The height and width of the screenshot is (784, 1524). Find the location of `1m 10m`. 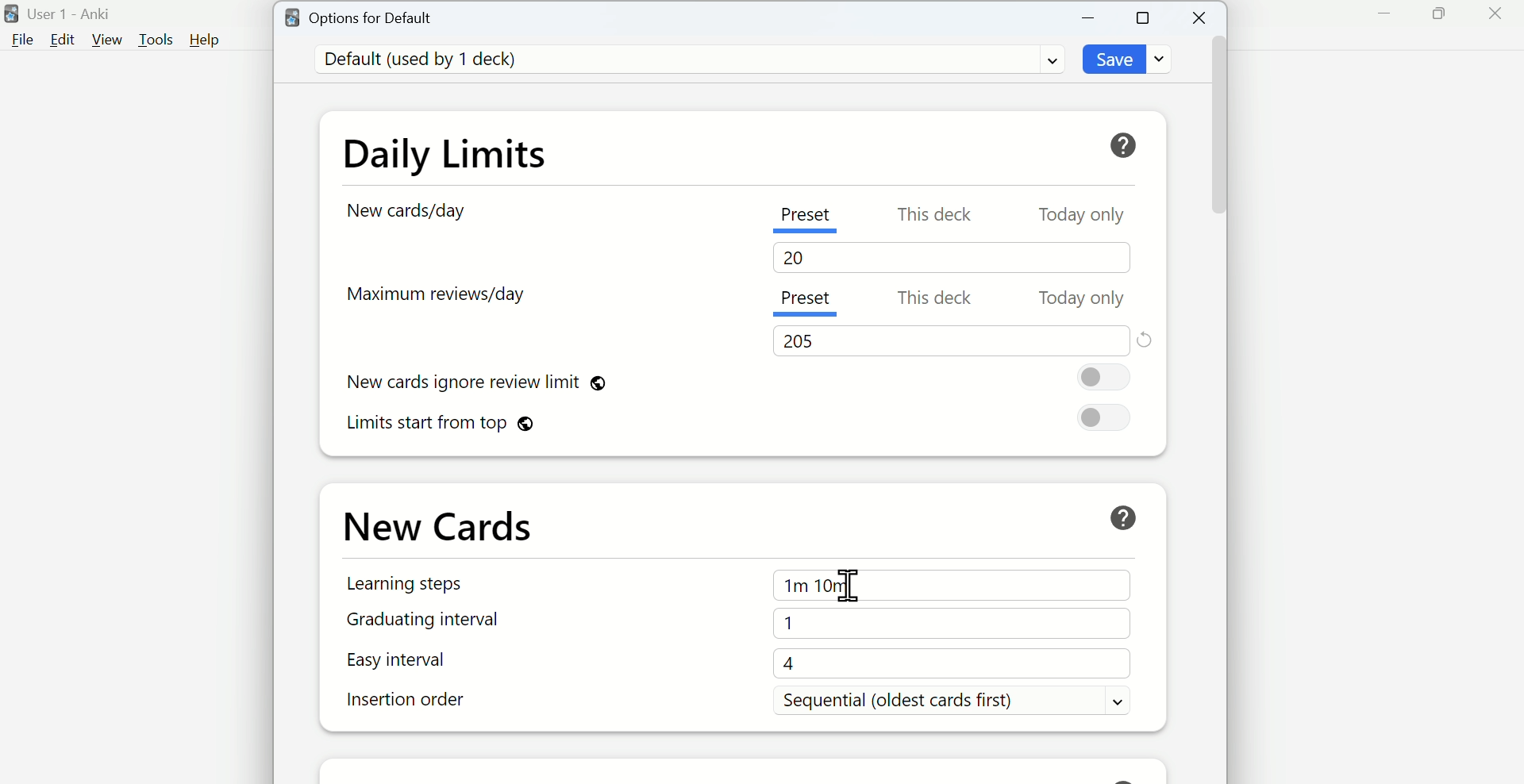

1m 10m is located at coordinates (949, 584).